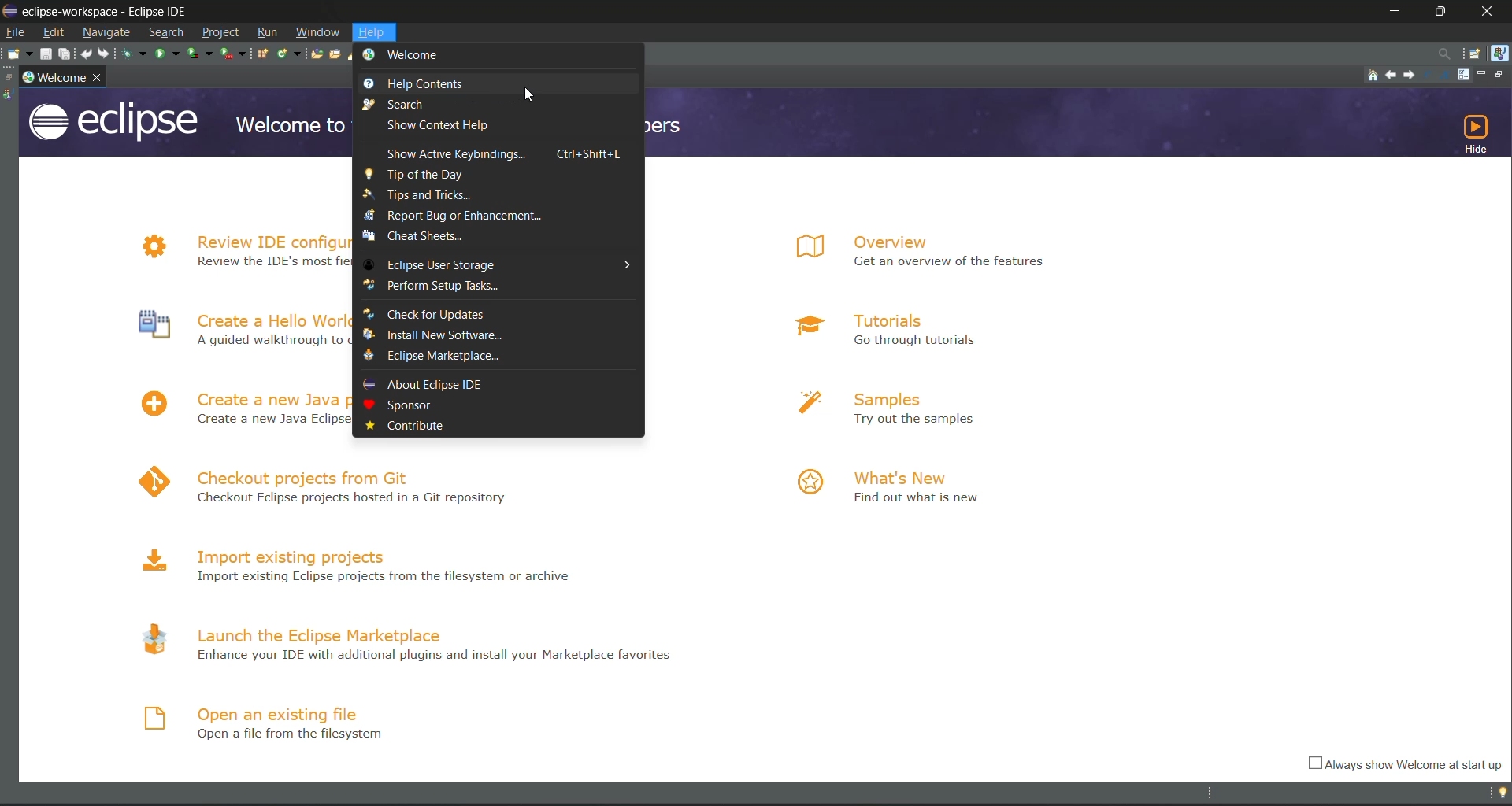 Image resolution: width=1512 pixels, height=806 pixels. I want to click on perform setup task.., so click(446, 284).